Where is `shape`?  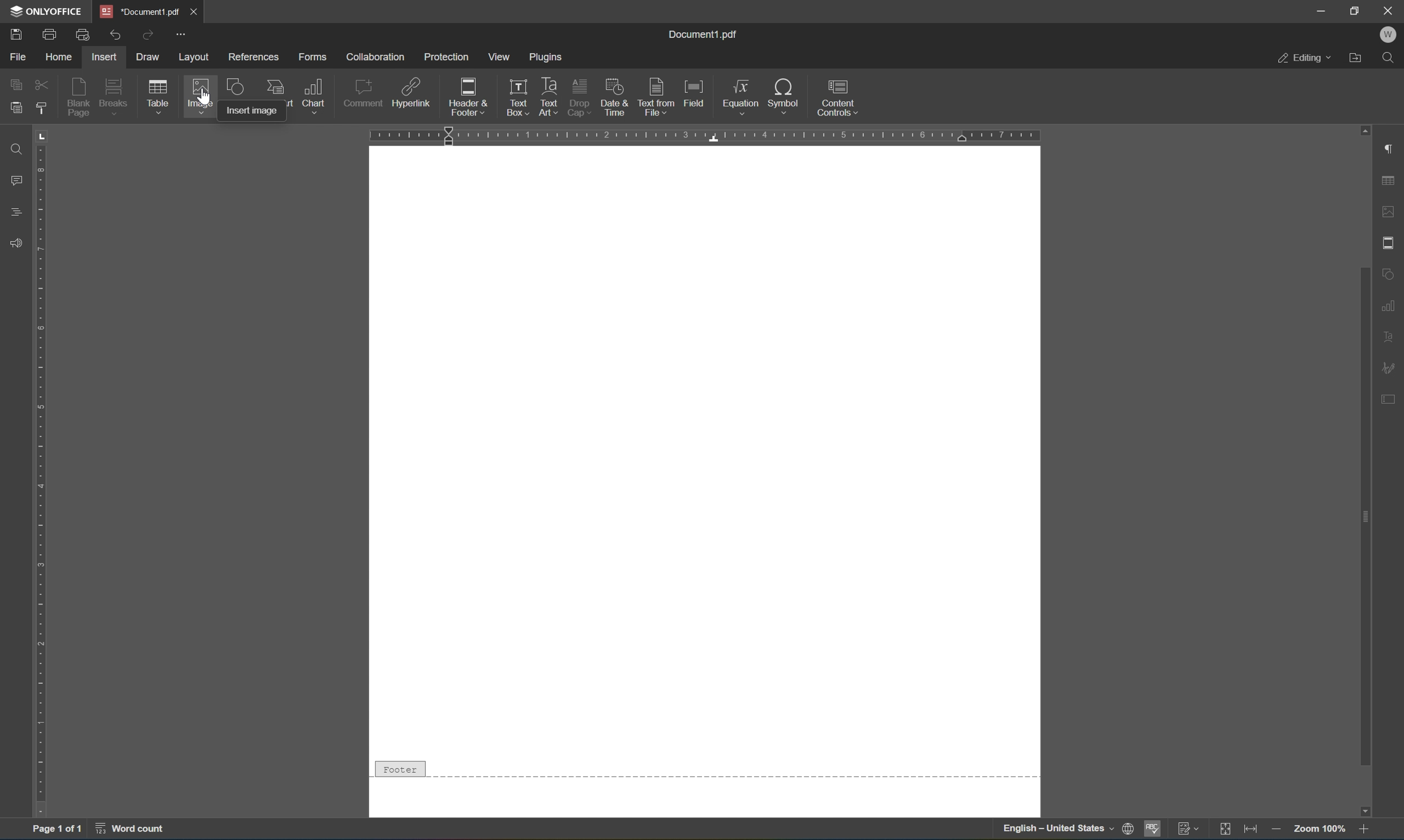 shape is located at coordinates (233, 90).